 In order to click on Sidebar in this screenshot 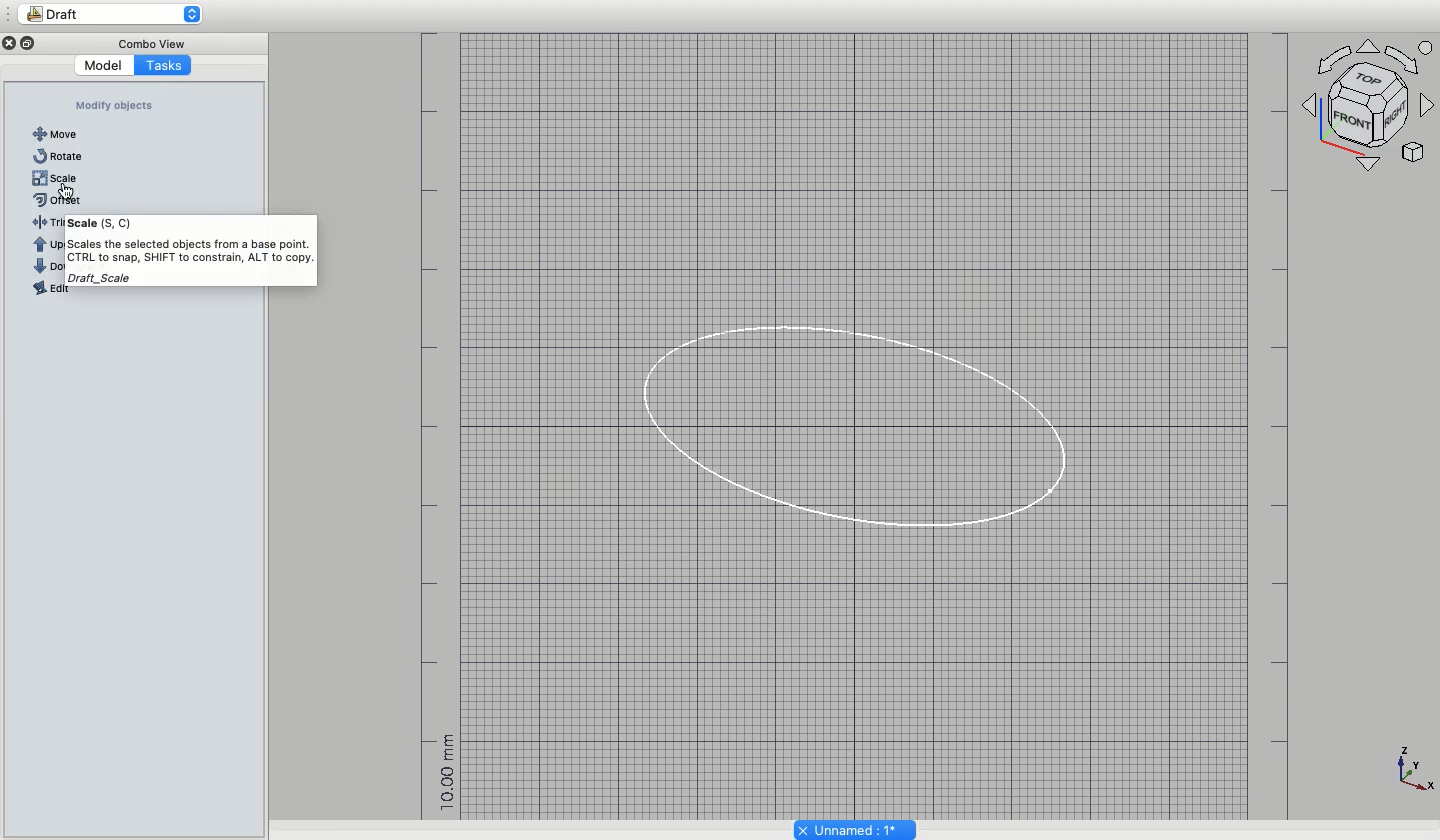, I will do `click(9, 14)`.